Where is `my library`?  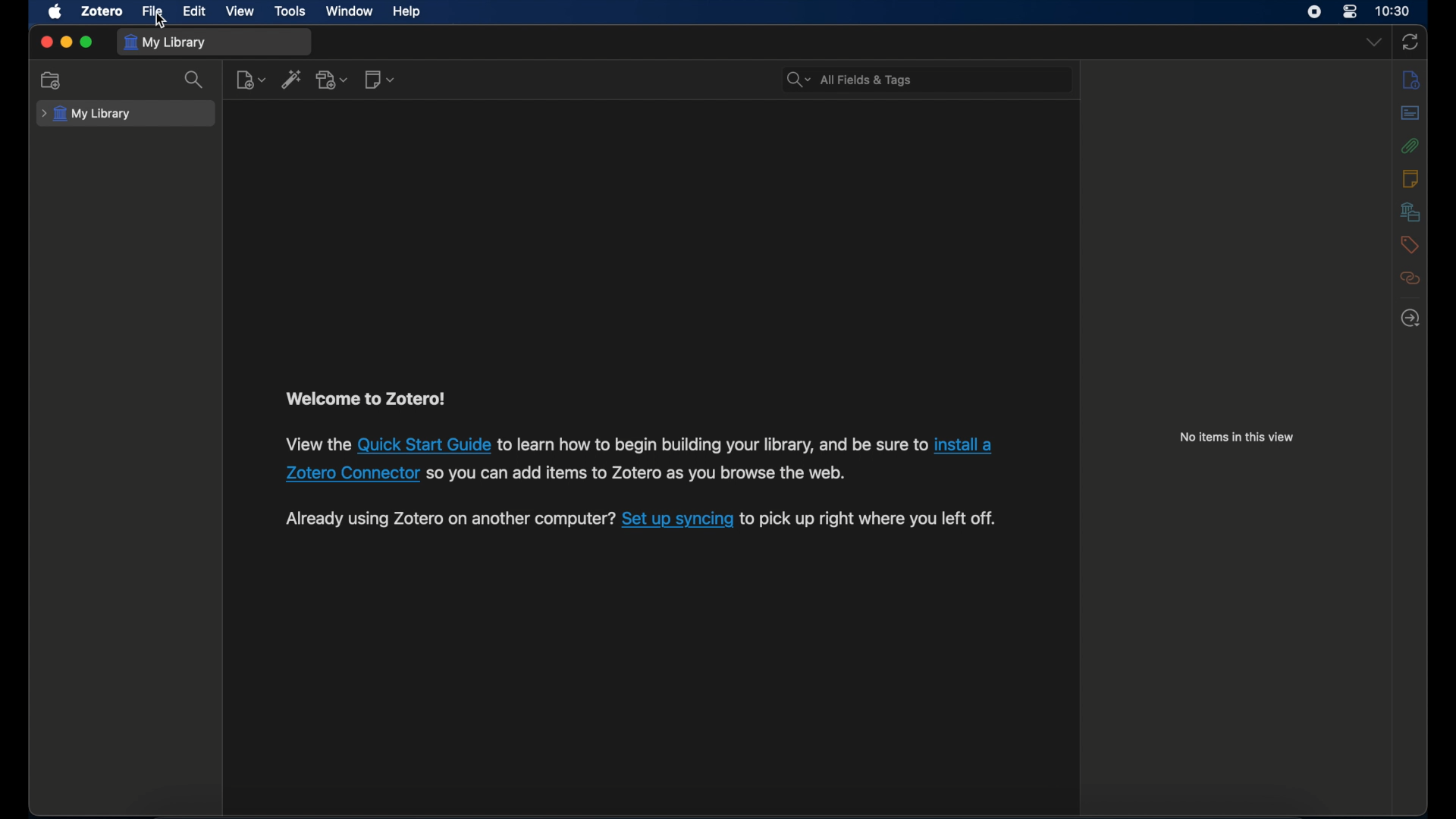
my library is located at coordinates (165, 42).